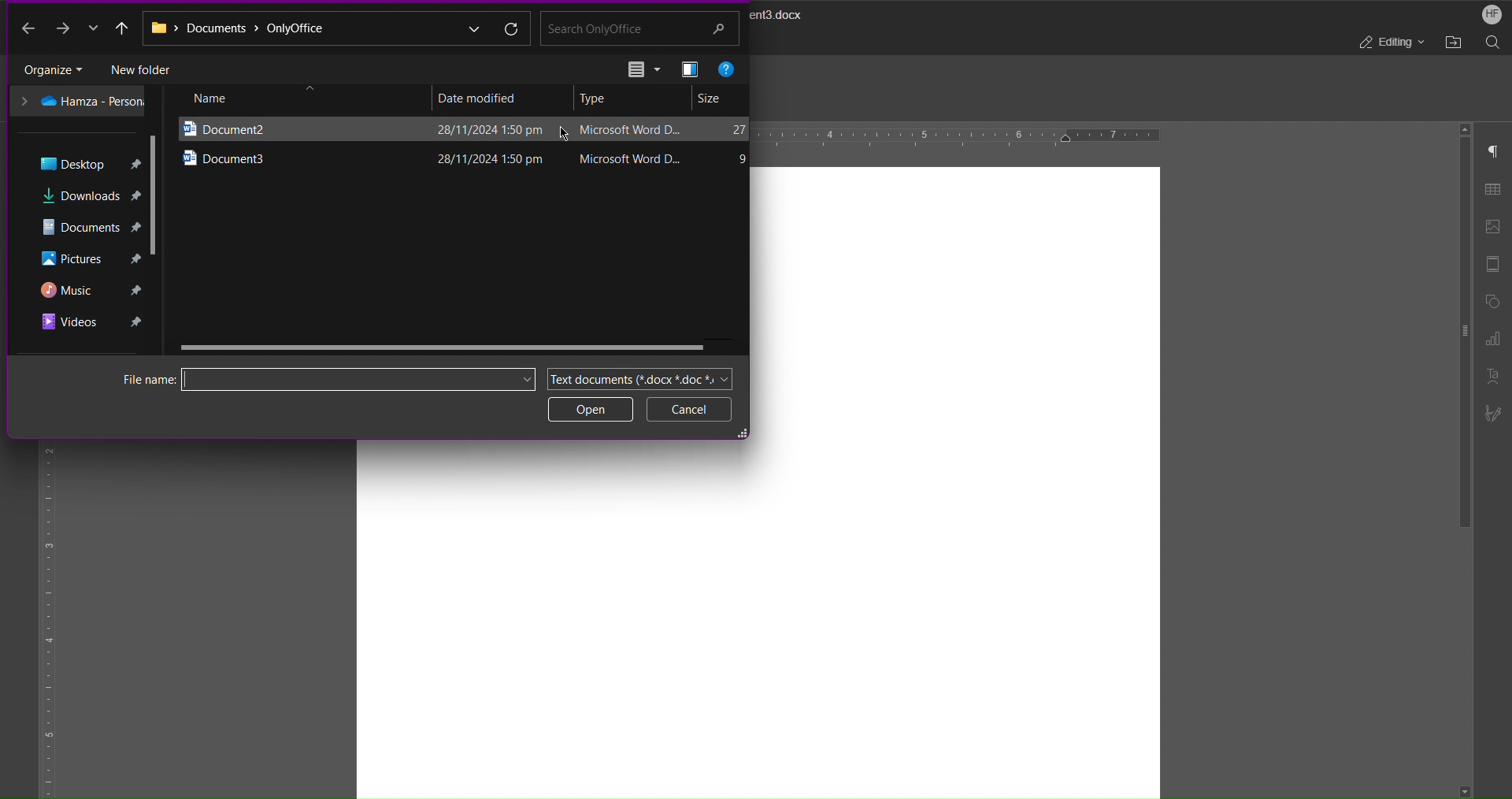 Image resolution: width=1512 pixels, height=799 pixels. What do you see at coordinates (636, 376) in the screenshot?
I see `Text documents (*.docx*.docx*.` at bounding box center [636, 376].